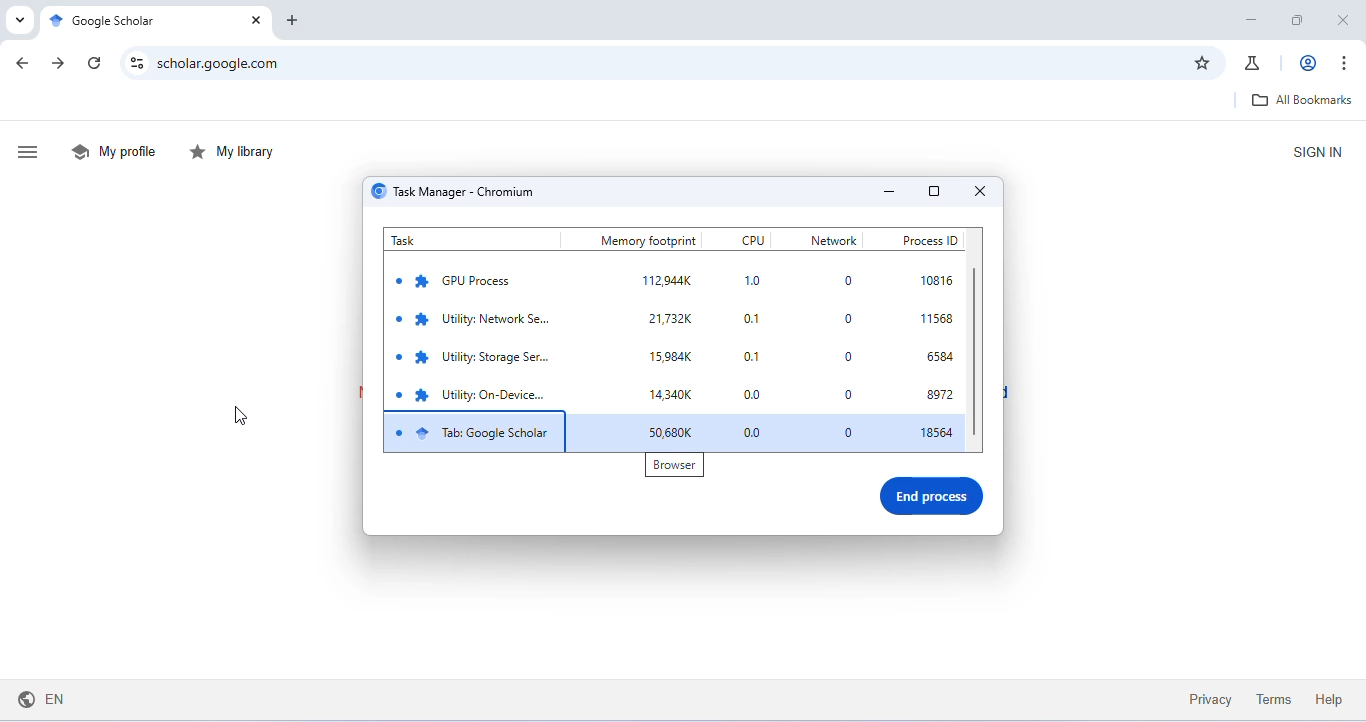 This screenshot has width=1366, height=722. Describe the element at coordinates (845, 392) in the screenshot. I see `0` at that location.